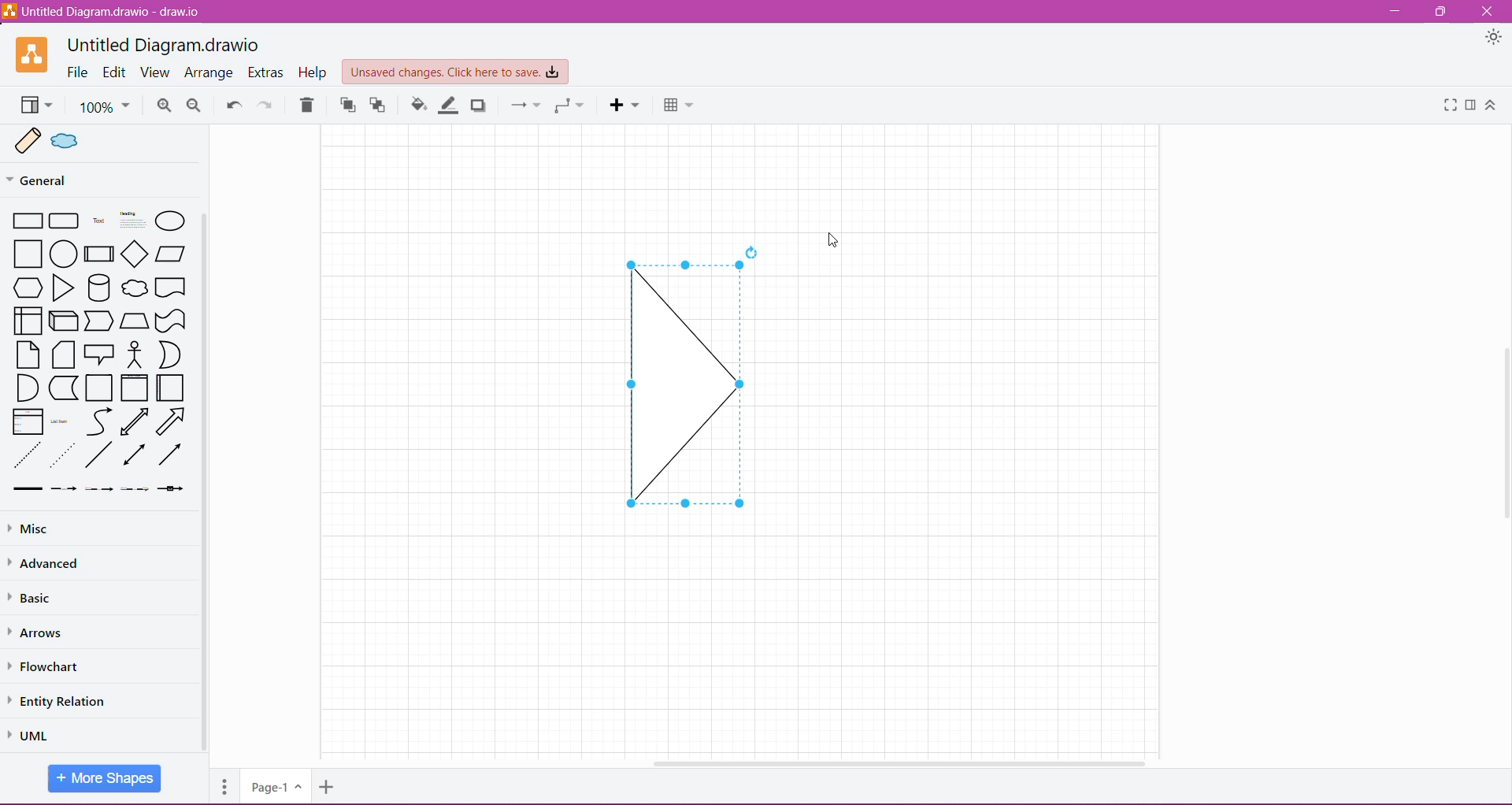  Describe the element at coordinates (210, 72) in the screenshot. I see `Arrange` at that location.